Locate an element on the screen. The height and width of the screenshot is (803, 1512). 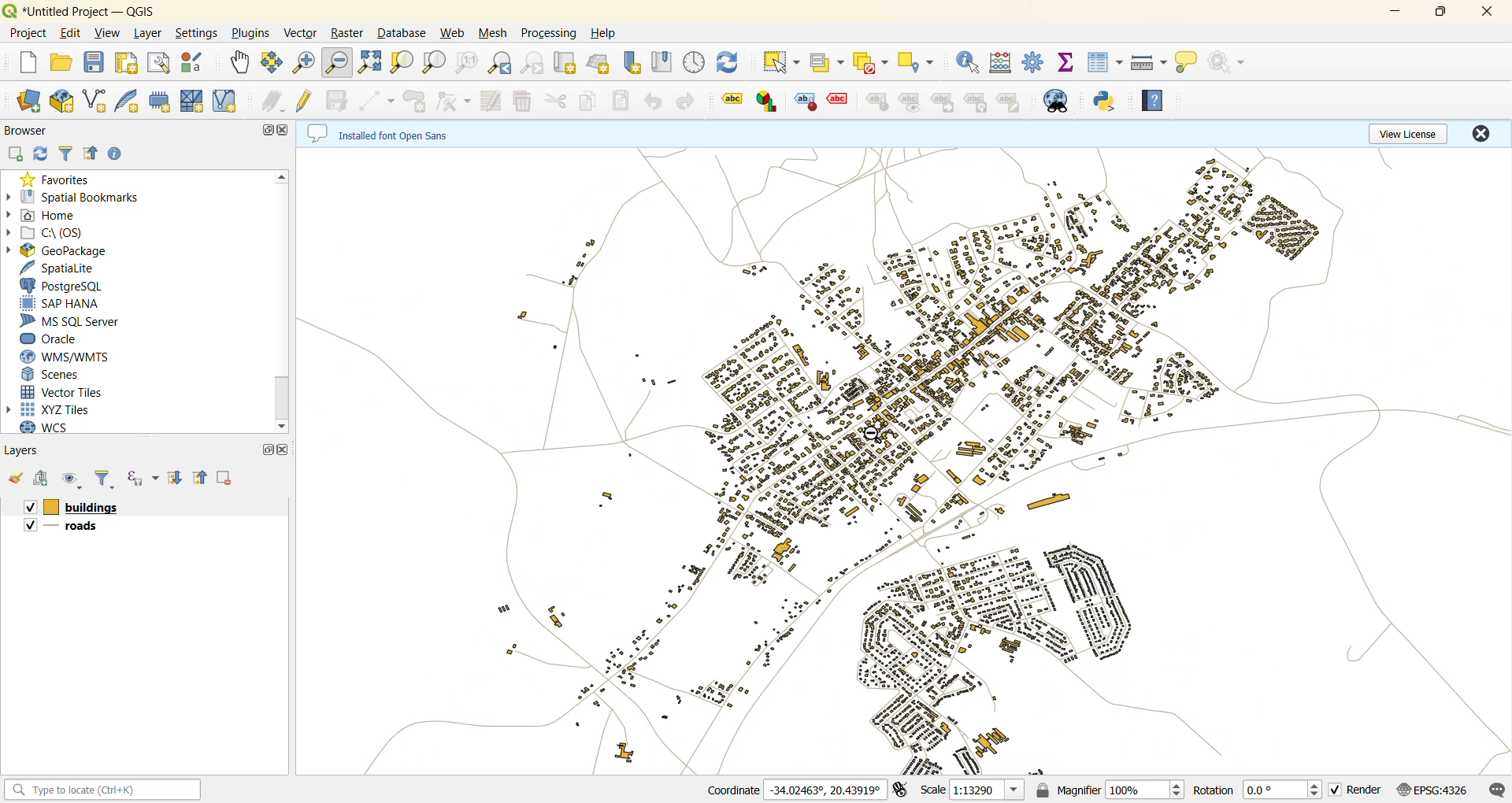
processing is located at coordinates (551, 35).